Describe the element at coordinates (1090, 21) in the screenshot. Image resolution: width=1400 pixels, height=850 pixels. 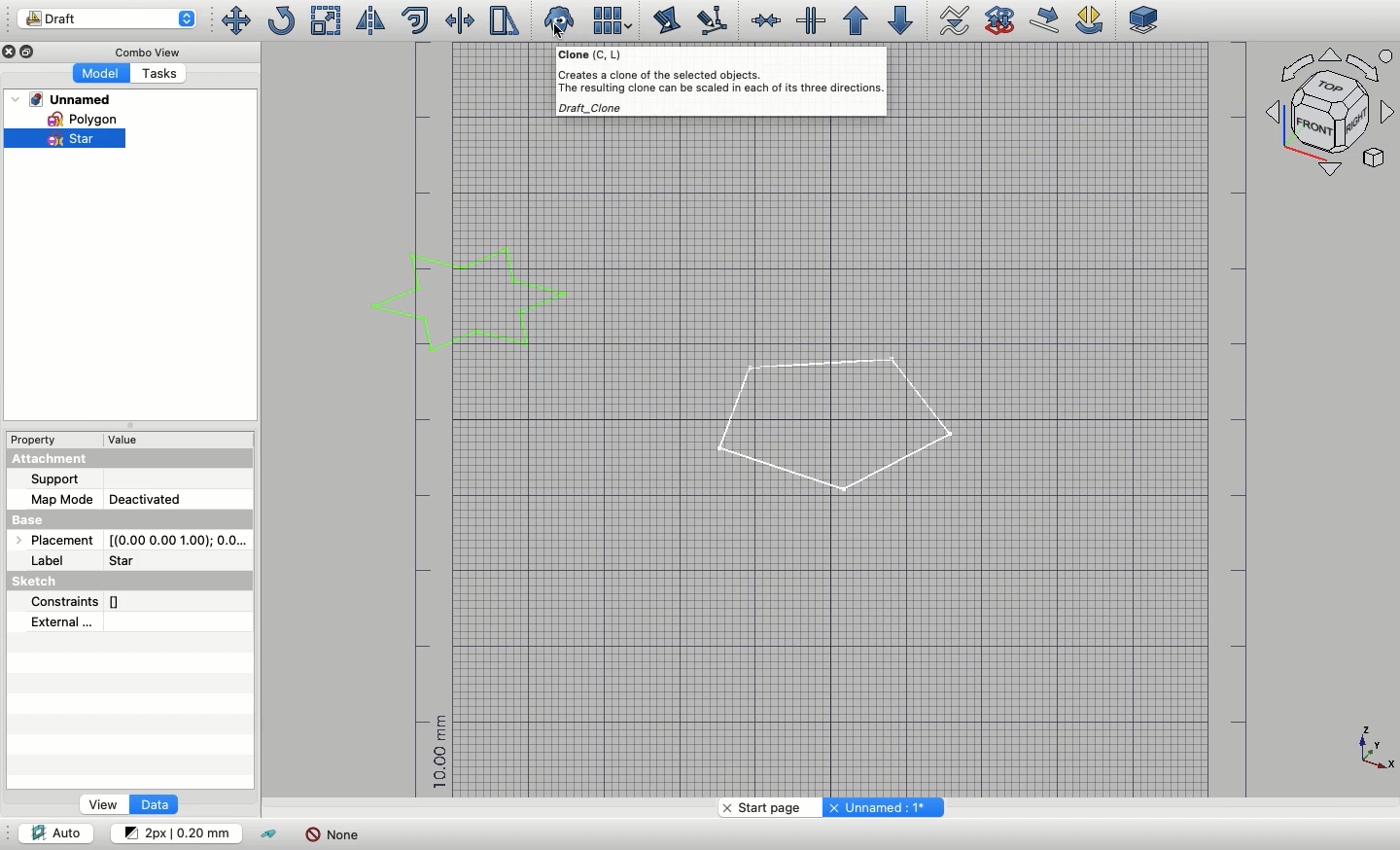
I see `Draft rotate` at that location.